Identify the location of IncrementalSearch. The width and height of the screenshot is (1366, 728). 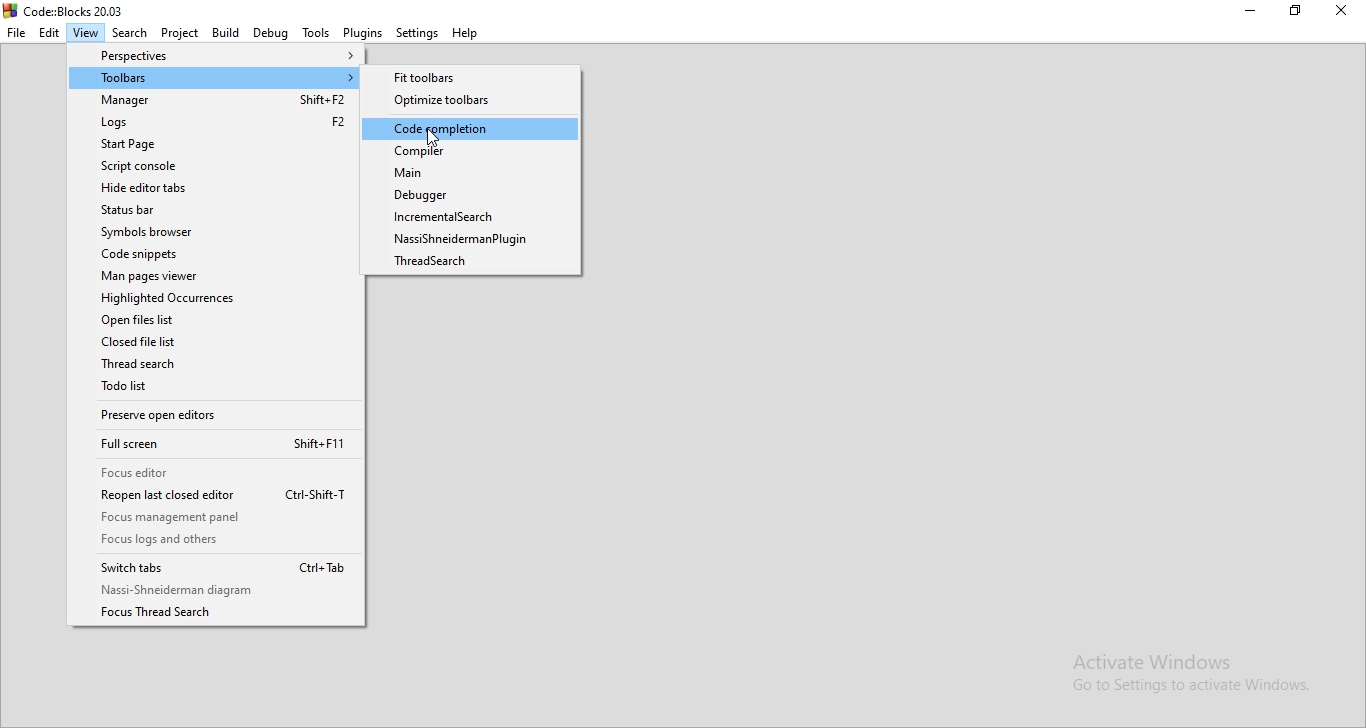
(474, 216).